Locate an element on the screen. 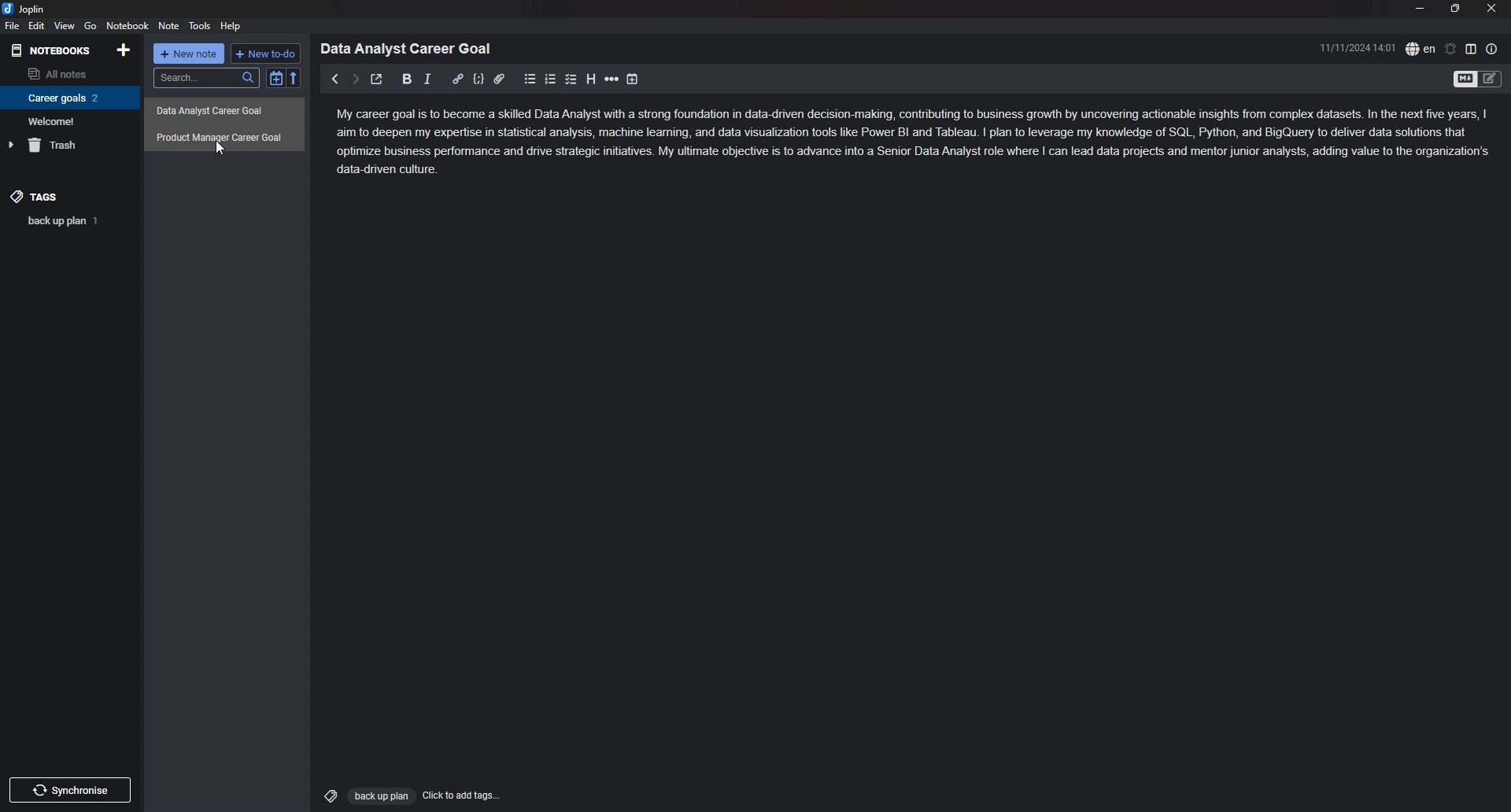  Data Analyst Career Goal is located at coordinates (412, 48).